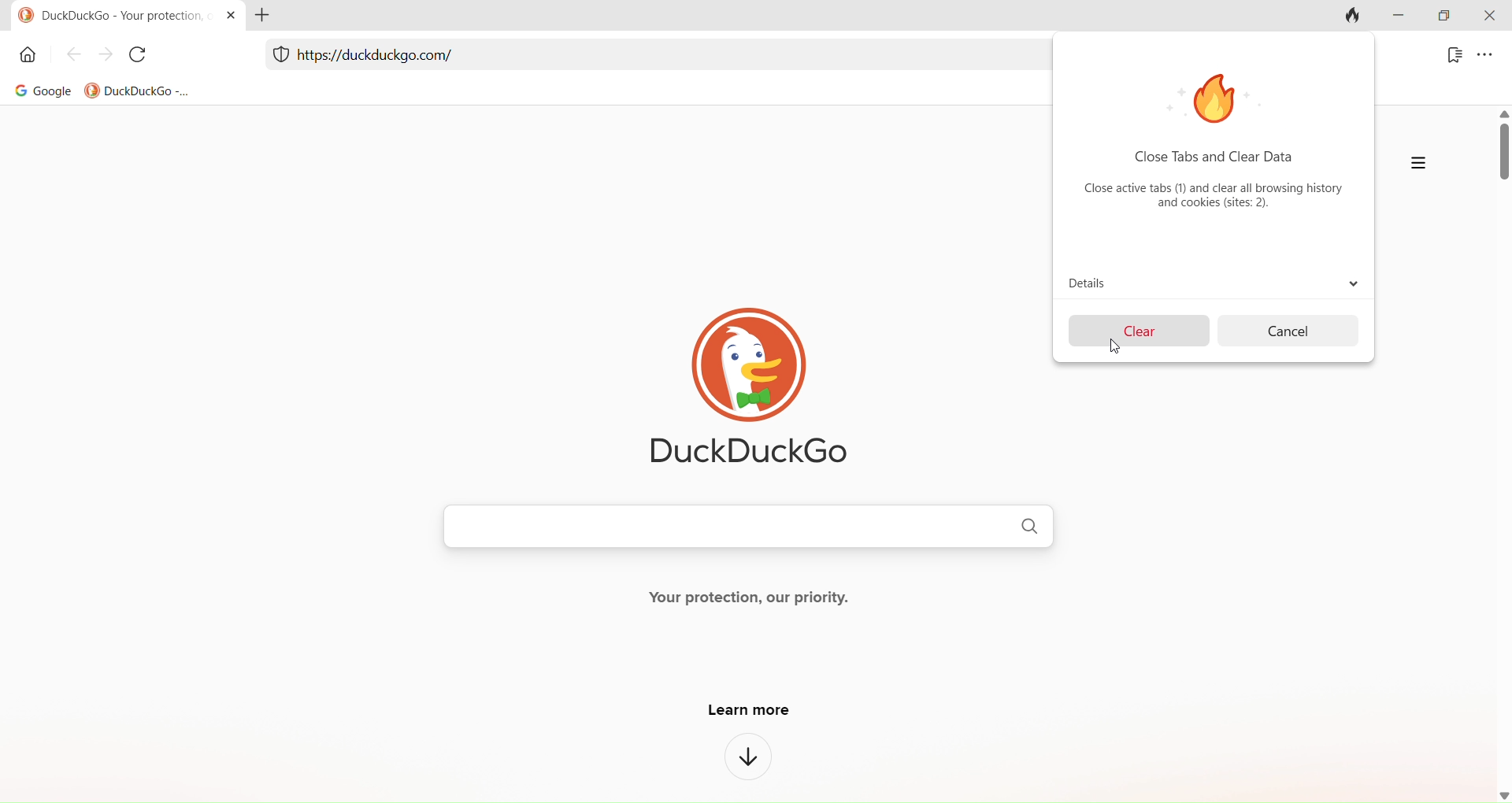 The height and width of the screenshot is (803, 1512). What do you see at coordinates (269, 20) in the screenshot?
I see `add tab` at bounding box center [269, 20].